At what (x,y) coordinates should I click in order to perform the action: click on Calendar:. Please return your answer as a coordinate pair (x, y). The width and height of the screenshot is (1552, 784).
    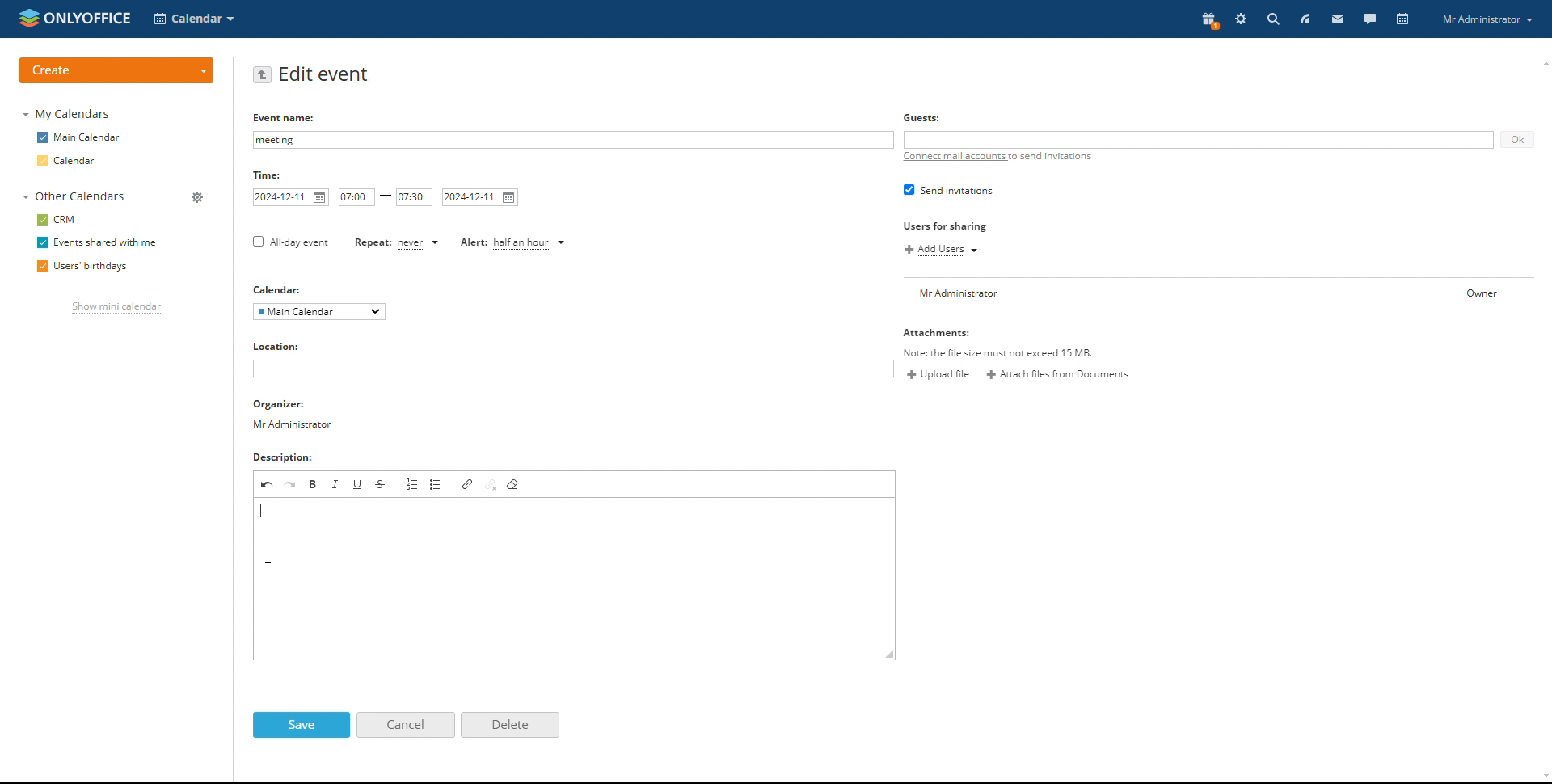
    Looking at the image, I should click on (277, 289).